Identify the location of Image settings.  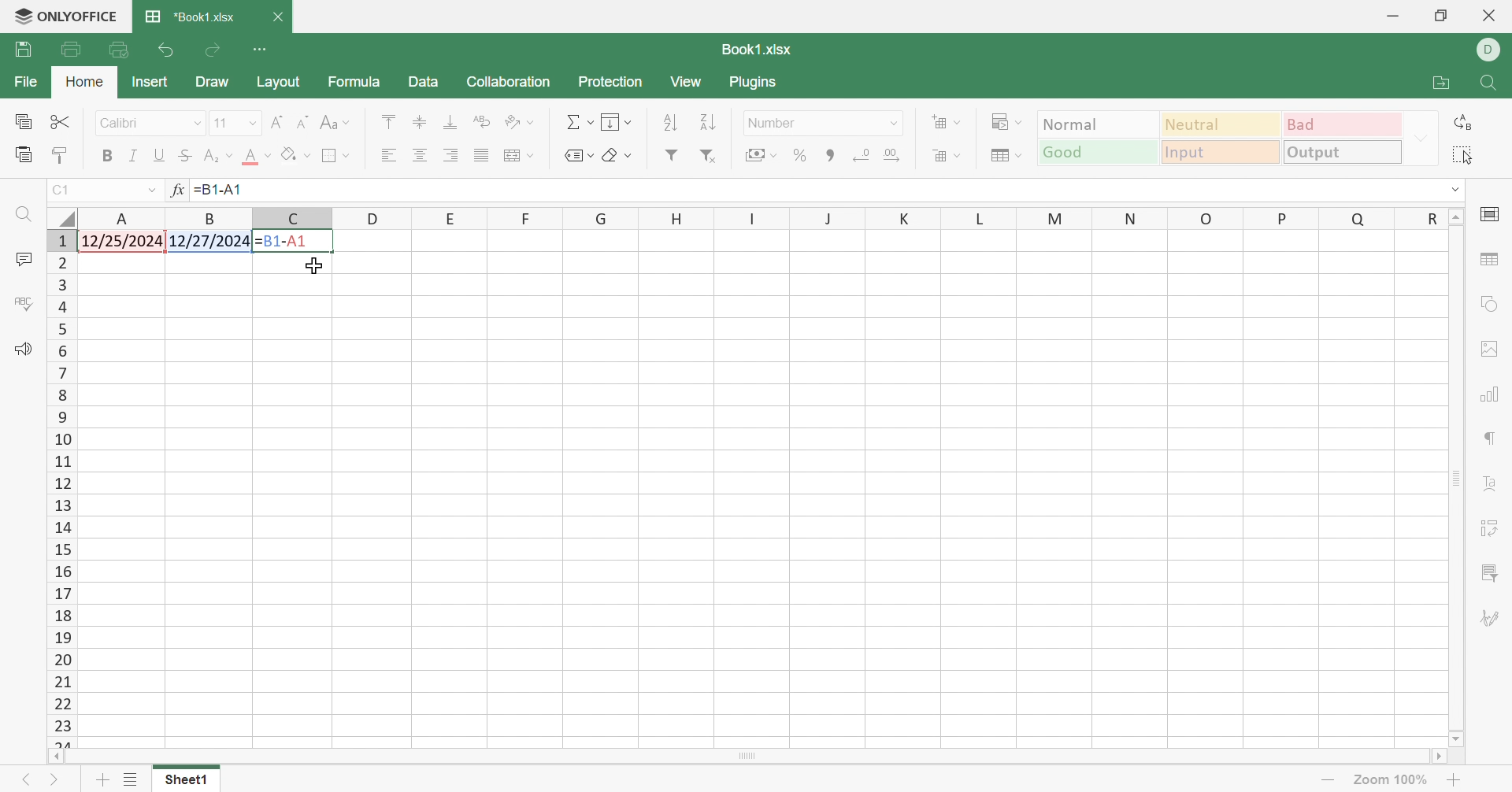
(1491, 350).